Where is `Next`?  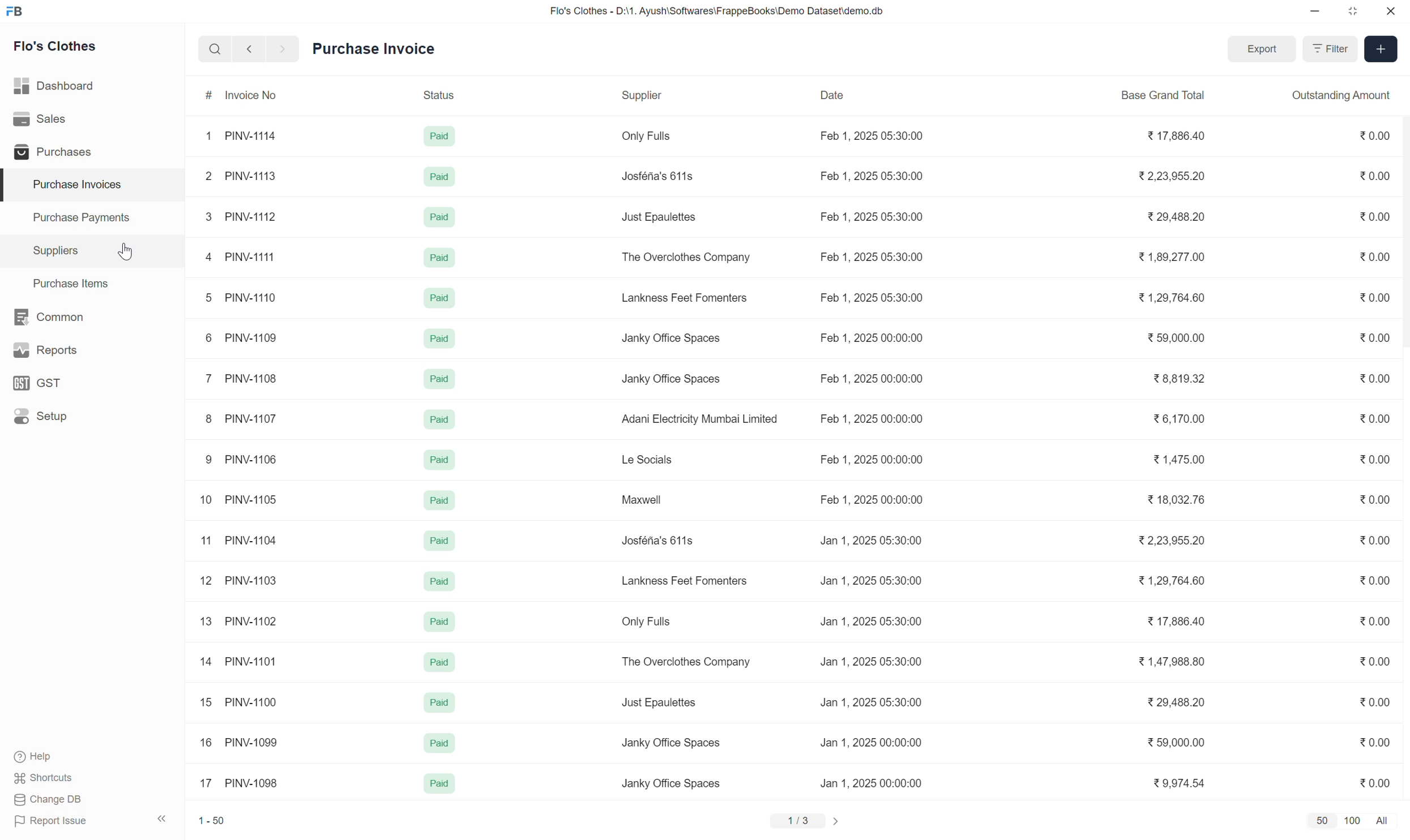 Next is located at coordinates (283, 49).